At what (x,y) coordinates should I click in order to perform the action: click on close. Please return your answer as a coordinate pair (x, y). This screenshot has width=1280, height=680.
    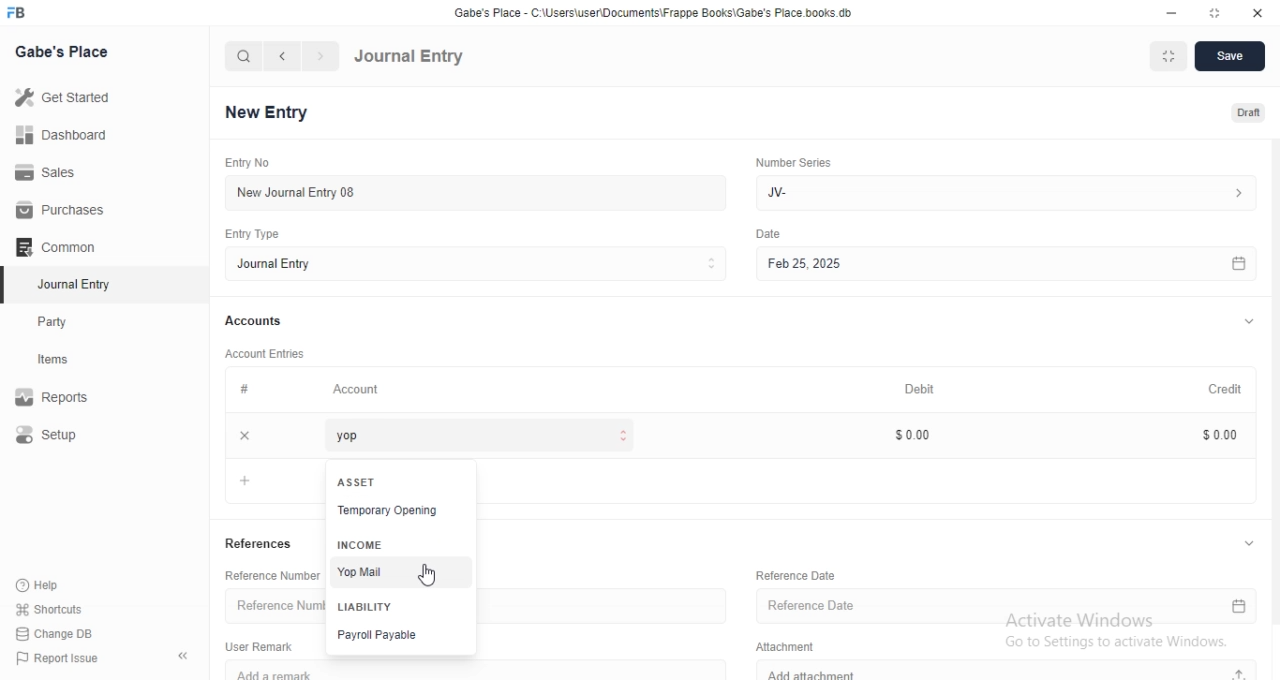
    Looking at the image, I should click on (1256, 11).